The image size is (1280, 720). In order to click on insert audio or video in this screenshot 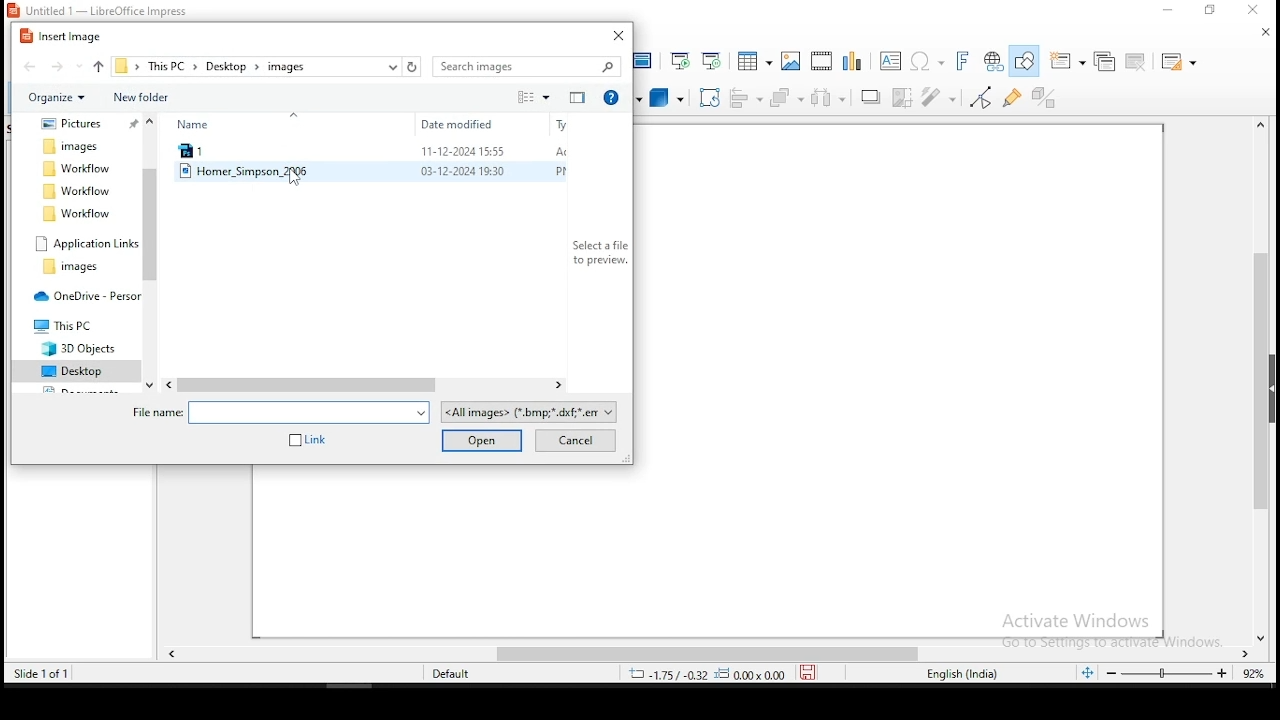, I will do `click(821, 57)`.